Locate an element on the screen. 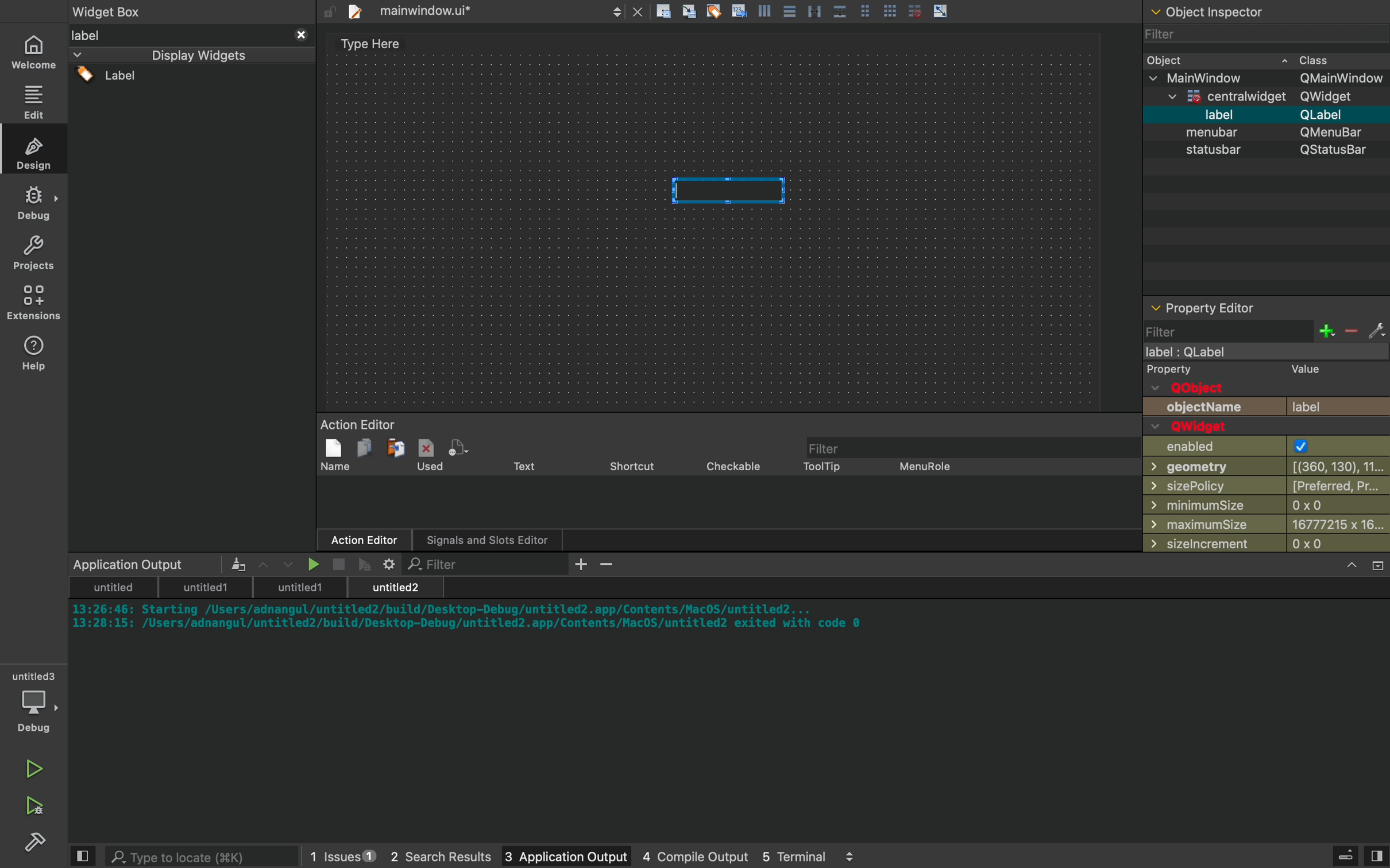 The width and height of the screenshot is (1390, 868).  is located at coordinates (1259, 98).